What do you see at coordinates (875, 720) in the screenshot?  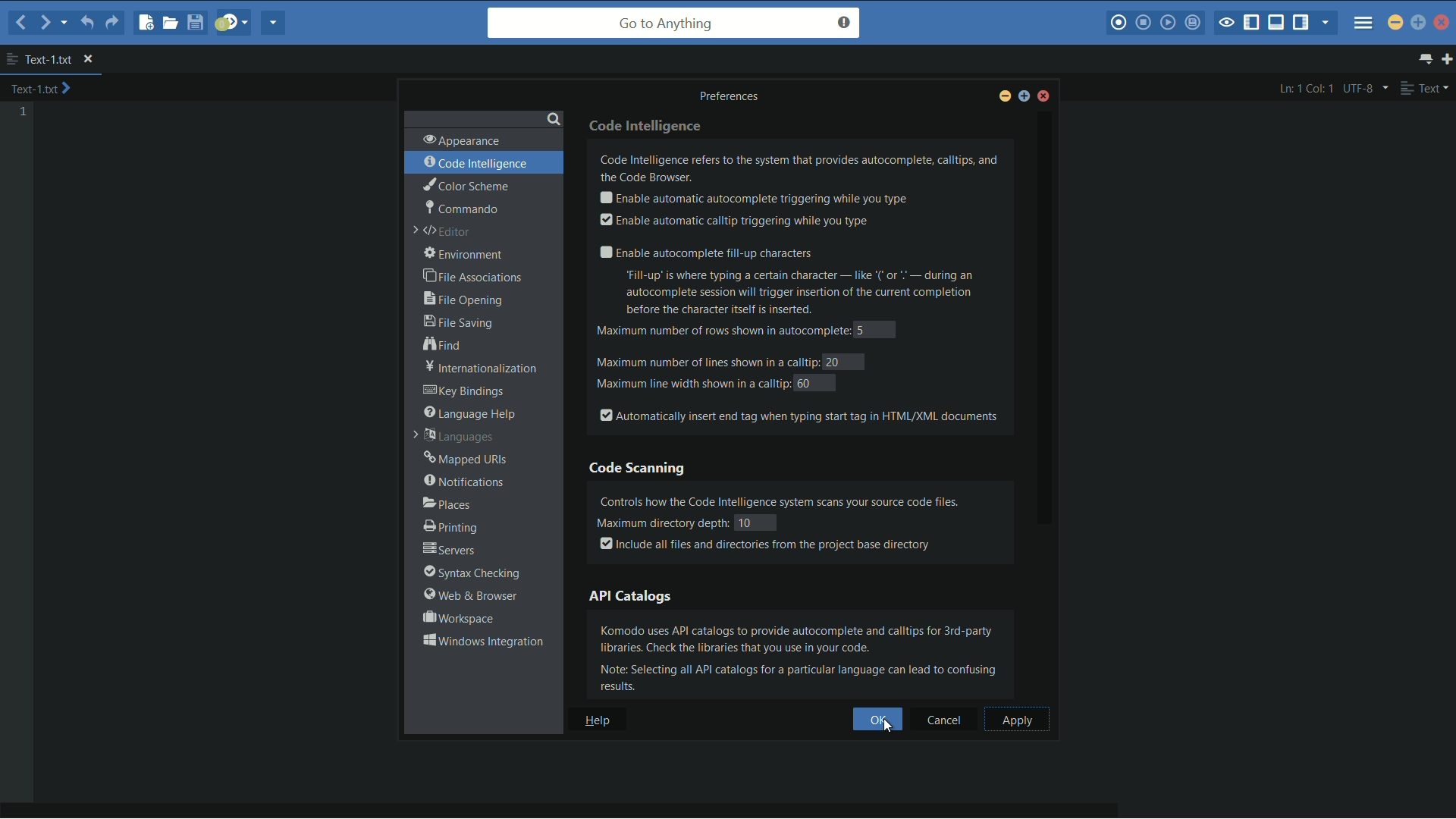 I see `ok` at bounding box center [875, 720].